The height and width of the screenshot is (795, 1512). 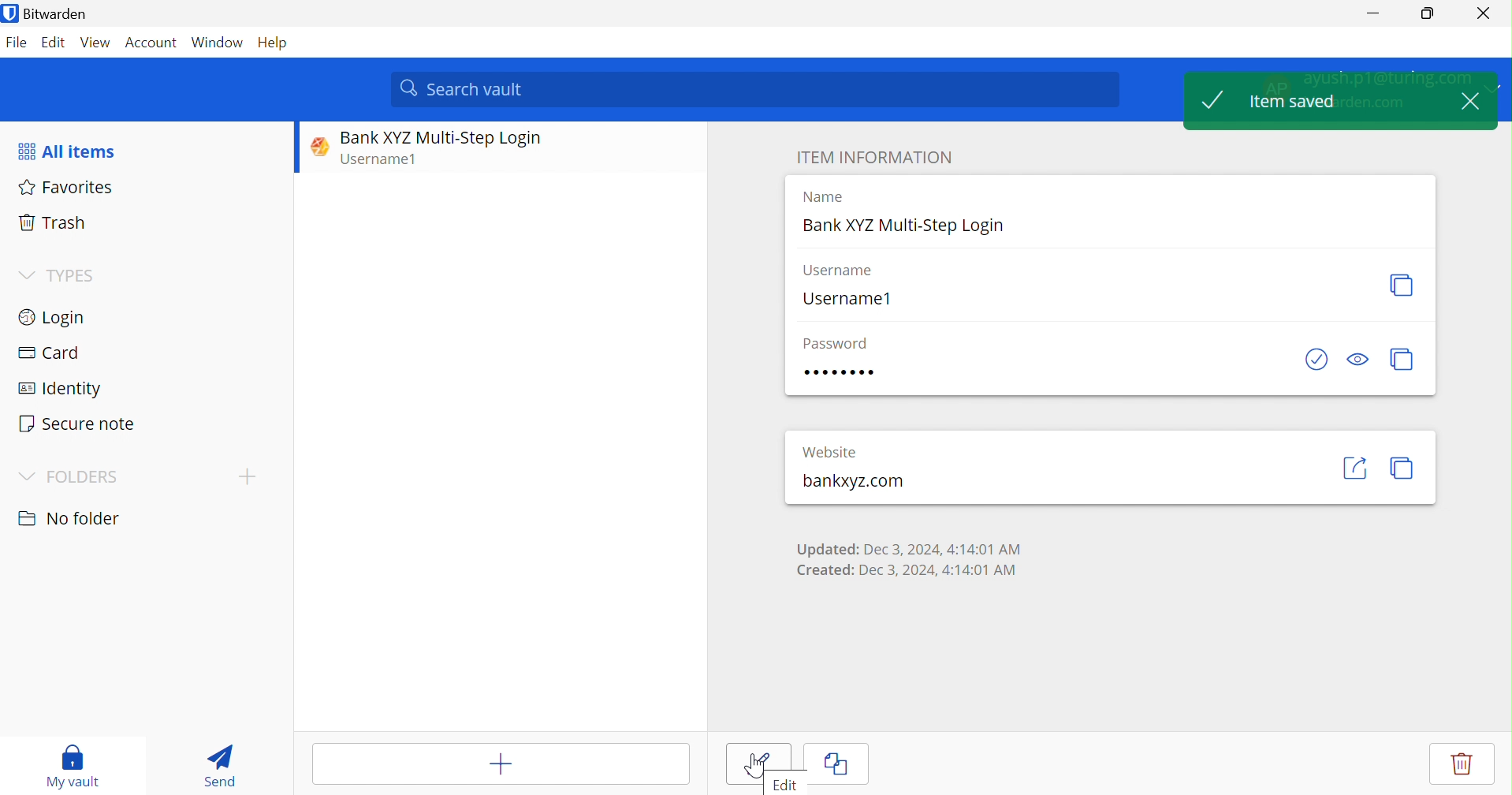 I want to click on Add item, so click(x=501, y=764).